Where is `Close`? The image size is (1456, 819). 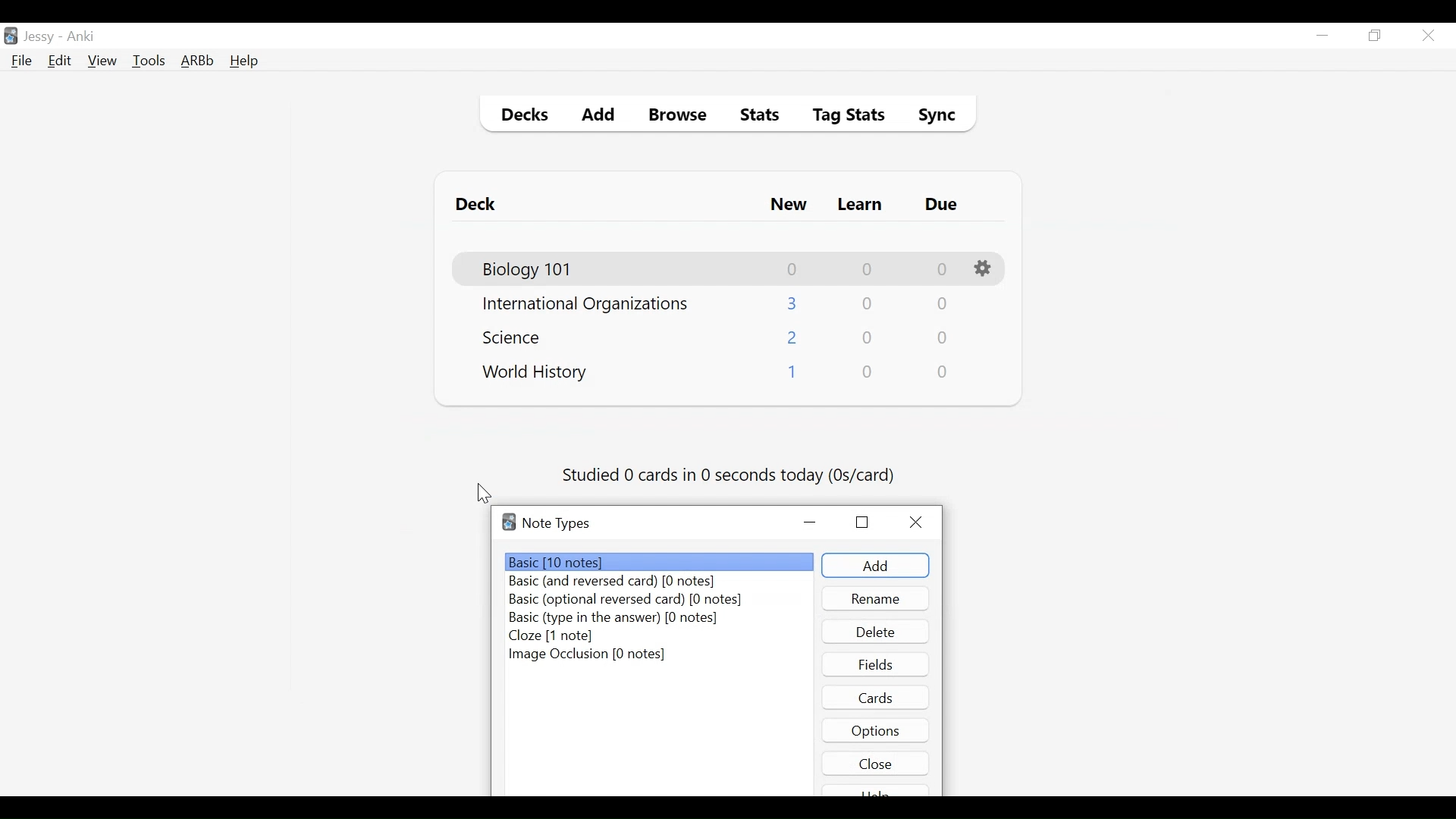 Close is located at coordinates (1428, 36).